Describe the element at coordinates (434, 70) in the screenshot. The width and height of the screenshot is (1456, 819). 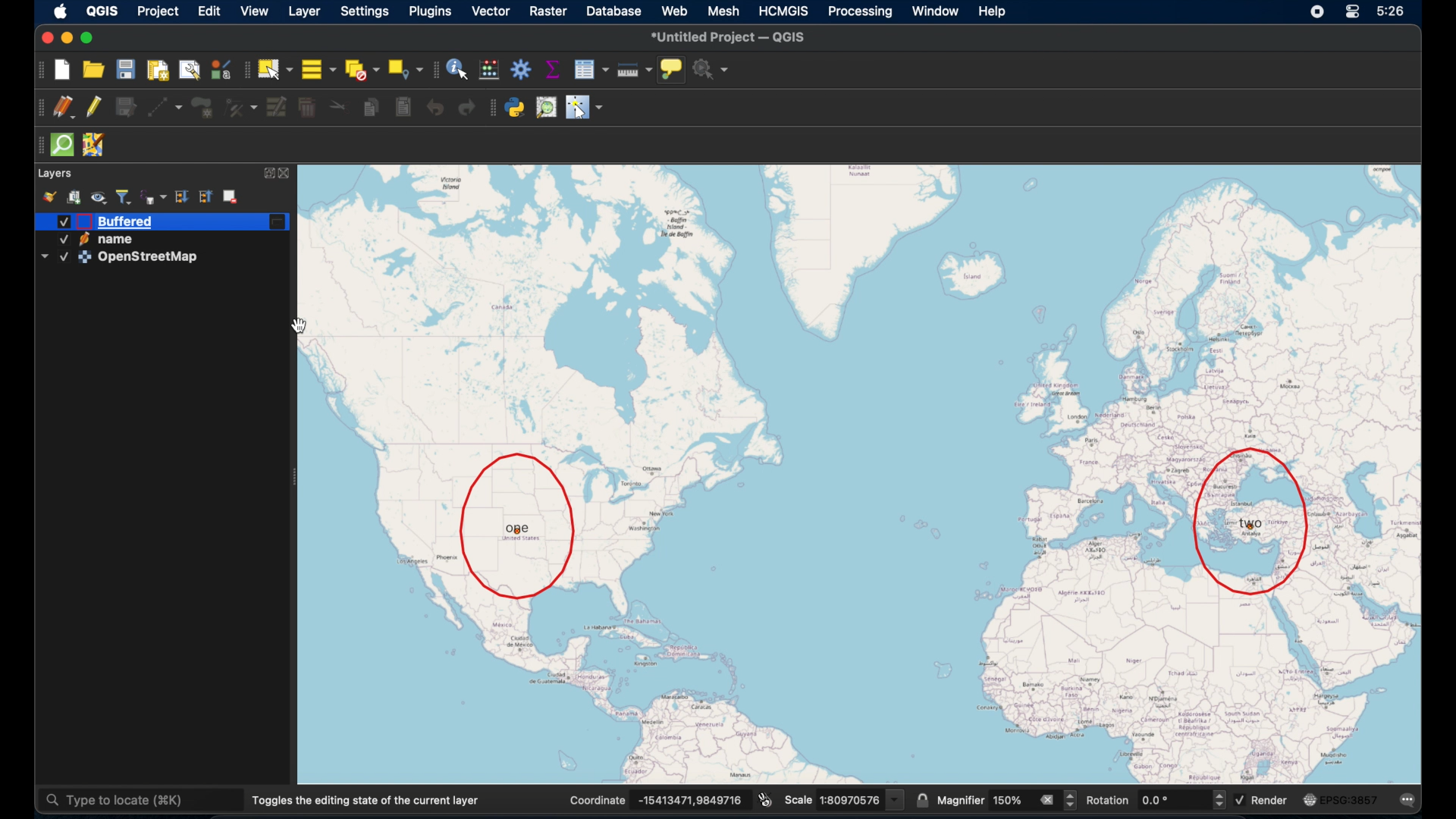
I see `attributes toolbar` at that location.